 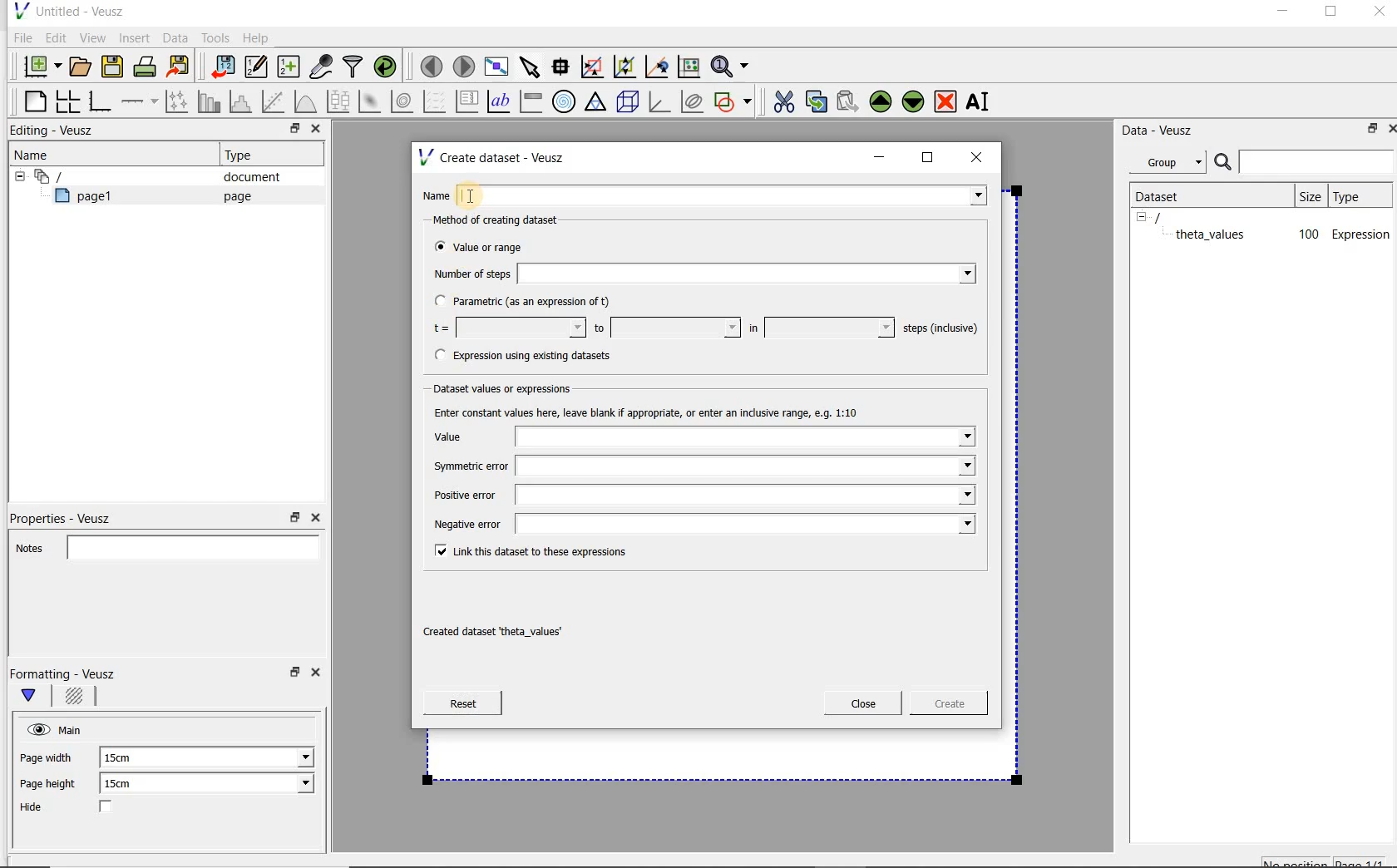 What do you see at coordinates (625, 67) in the screenshot?
I see `click to zoom out of graph axes` at bounding box center [625, 67].